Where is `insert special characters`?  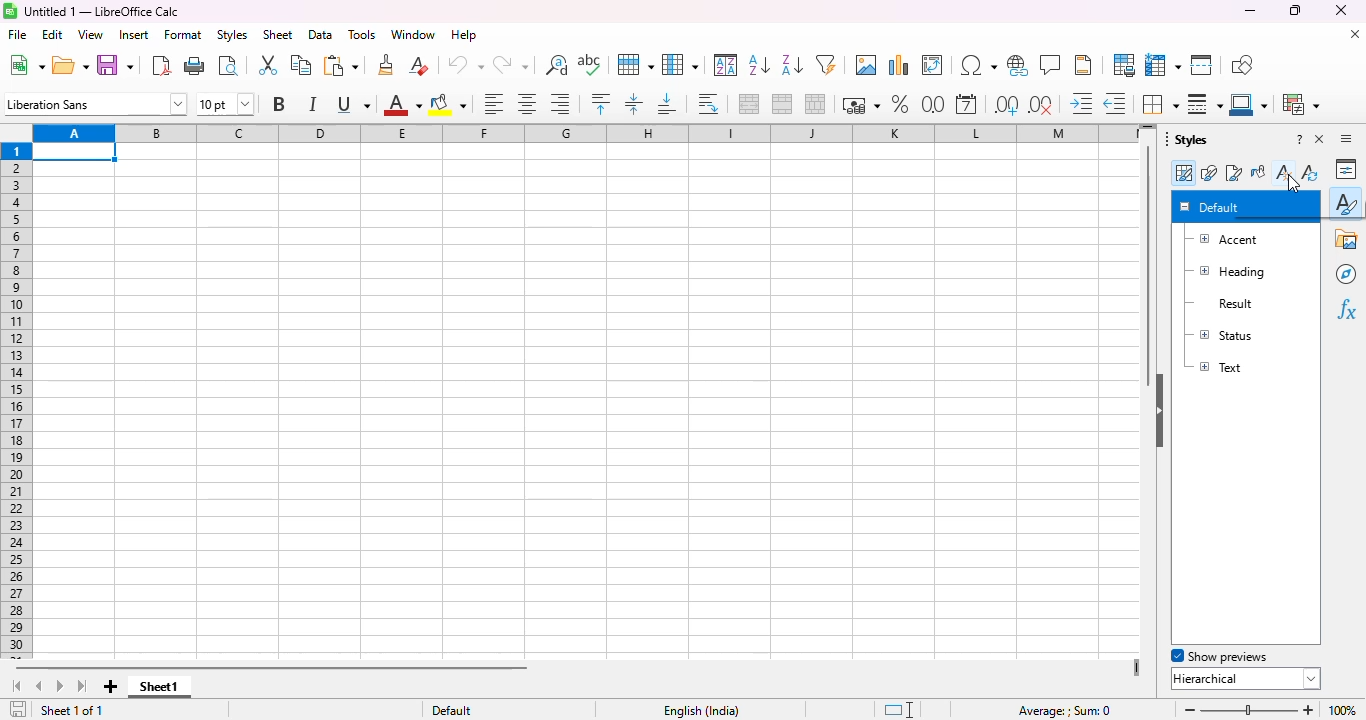 insert special characters is located at coordinates (978, 65).